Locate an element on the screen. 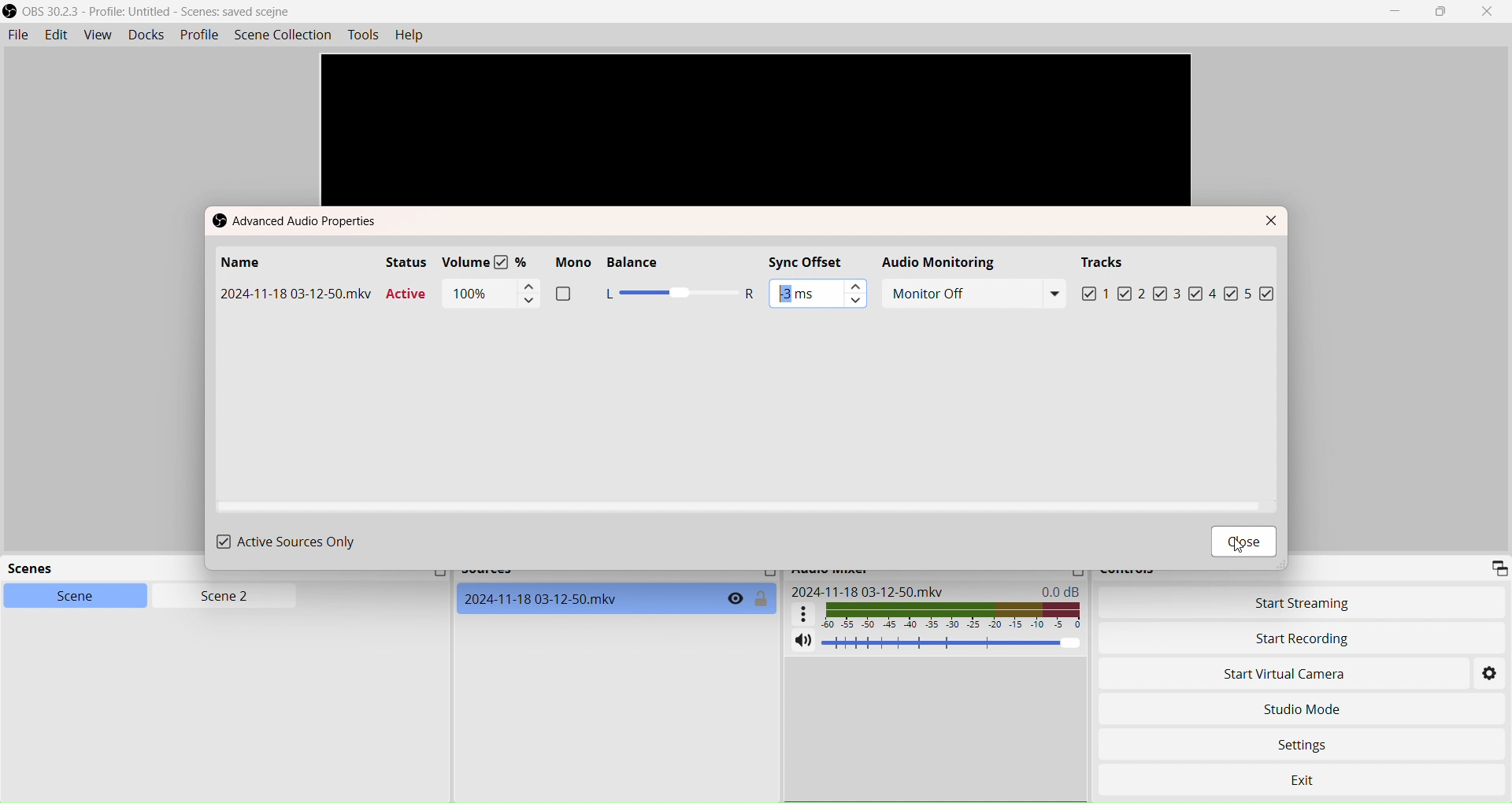  Volume is located at coordinates (953, 643).